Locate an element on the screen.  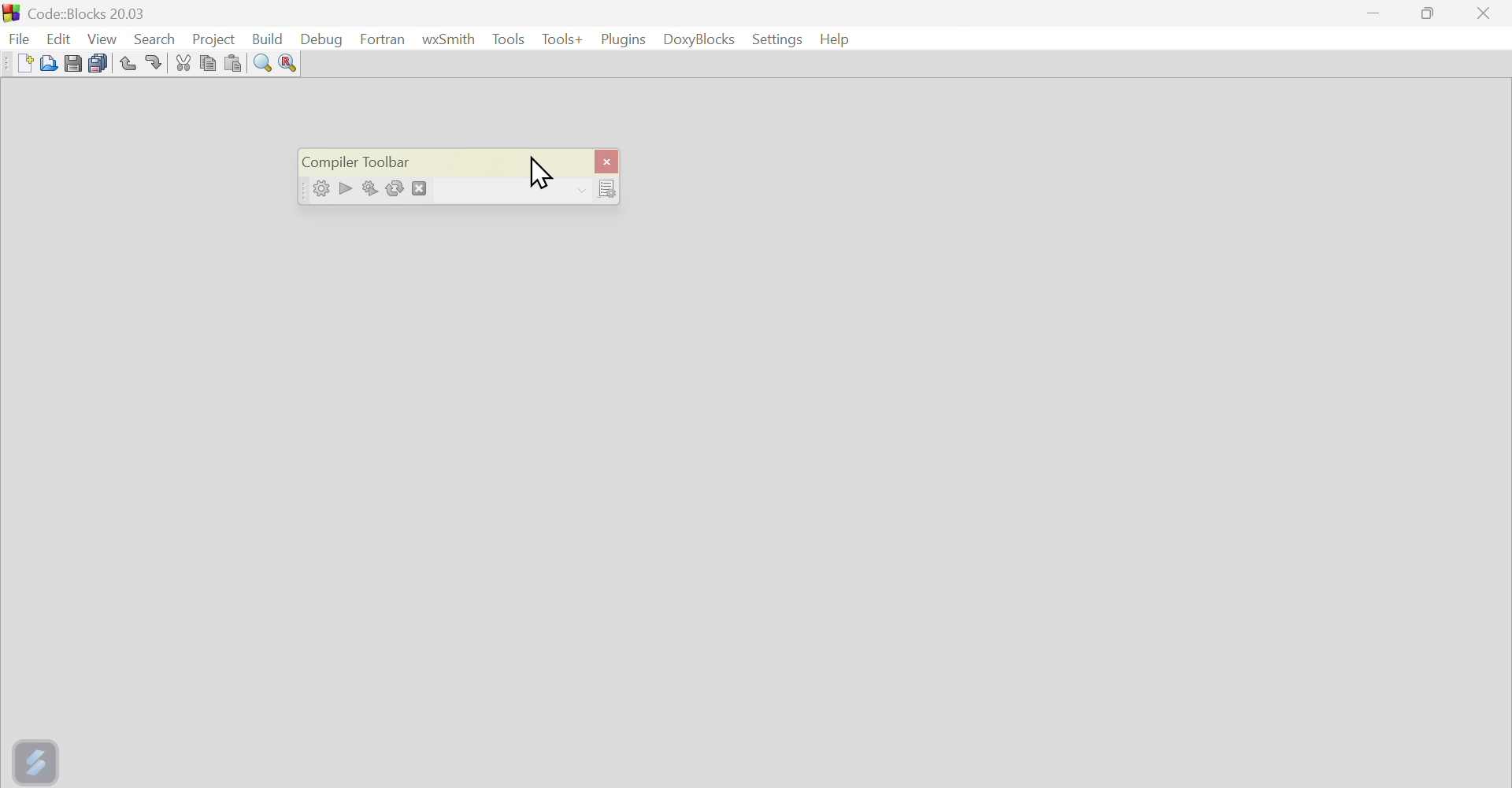
maximise is located at coordinates (1432, 16).